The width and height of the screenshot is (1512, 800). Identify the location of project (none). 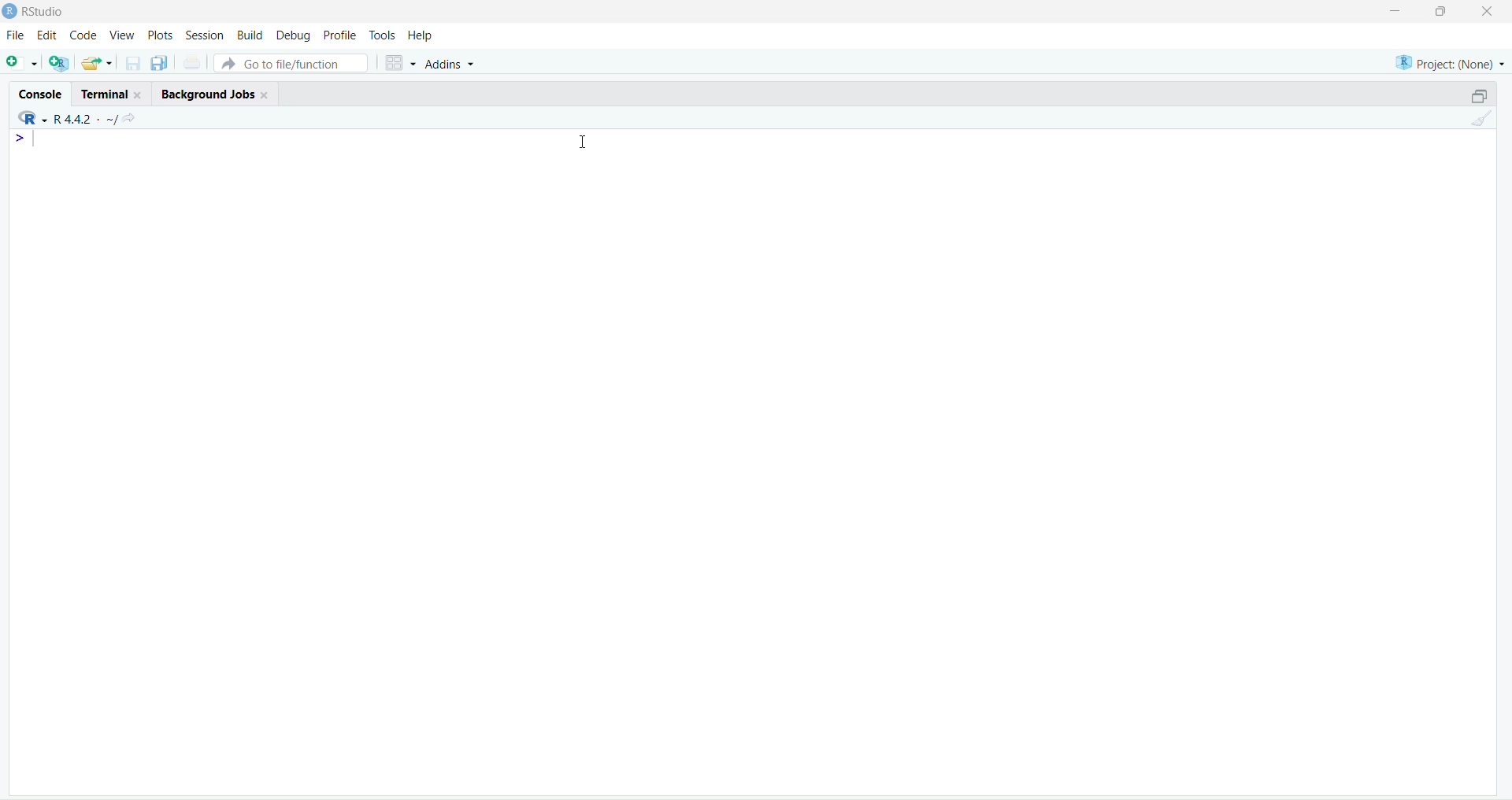
(1450, 64).